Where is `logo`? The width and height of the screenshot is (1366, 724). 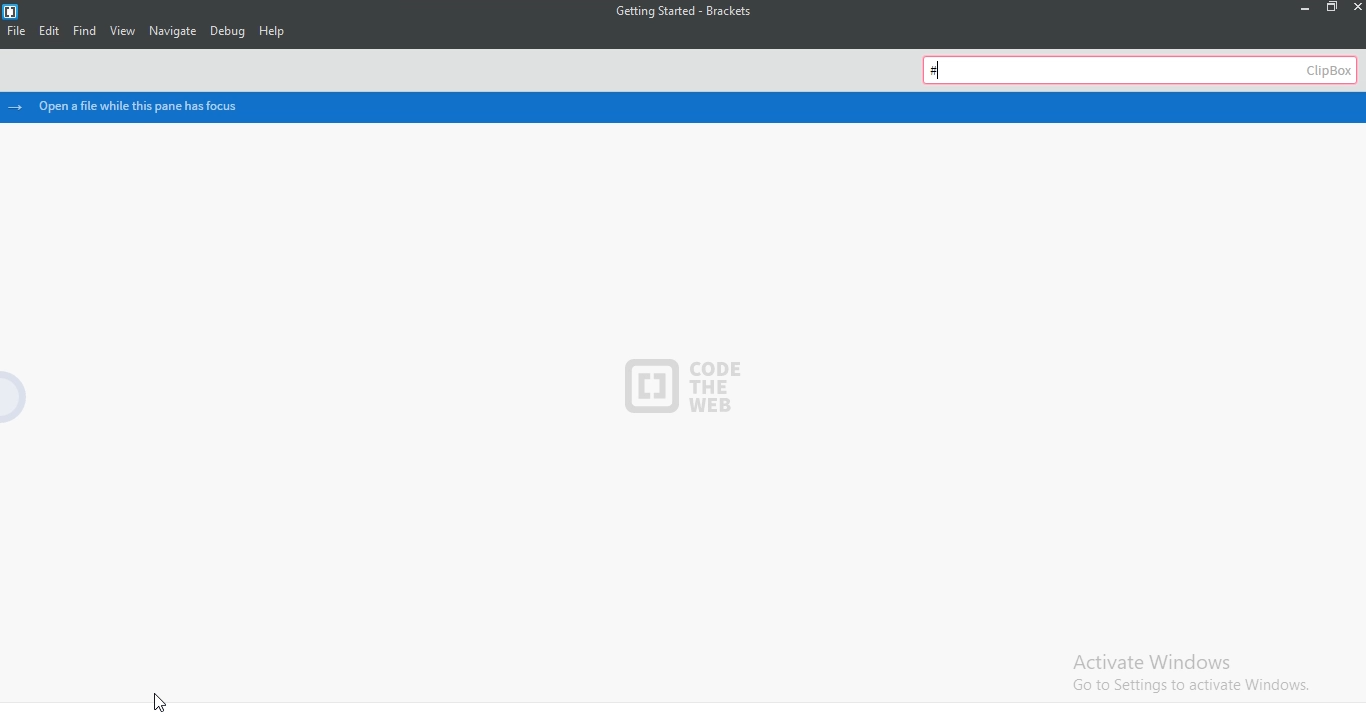
logo is located at coordinates (10, 12).